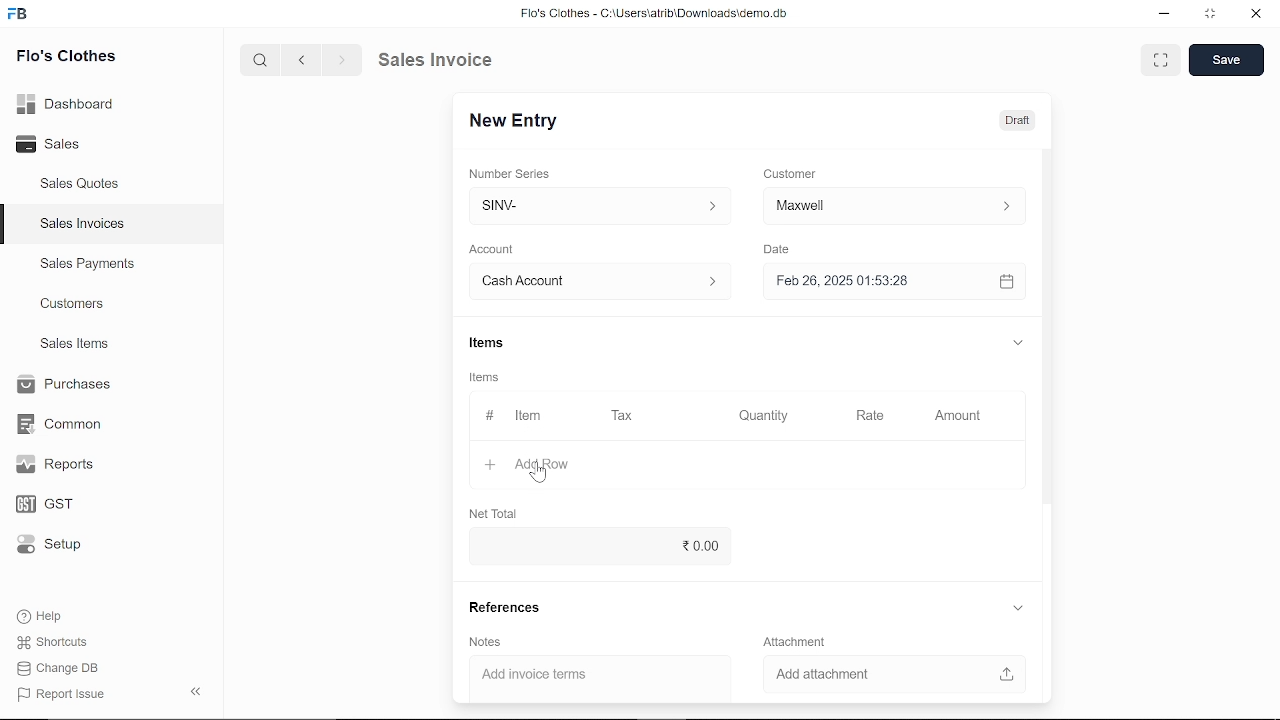  I want to click on Change DB, so click(64, 668).